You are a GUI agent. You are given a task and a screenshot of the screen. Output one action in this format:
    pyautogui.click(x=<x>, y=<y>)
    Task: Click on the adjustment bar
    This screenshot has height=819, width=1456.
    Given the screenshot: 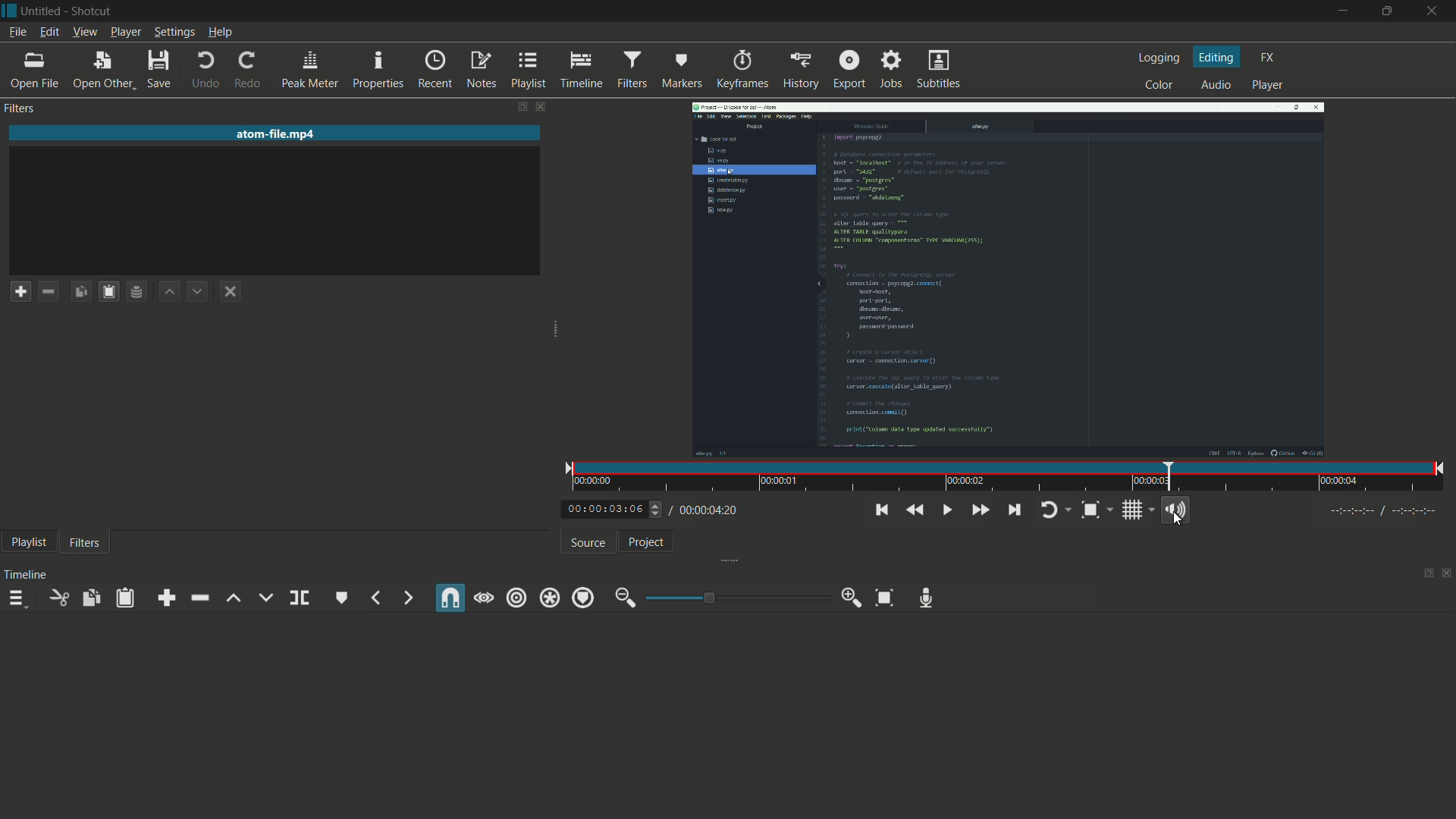 What is the action you would take?
    pyautogui.click(x=736, y=598)
    